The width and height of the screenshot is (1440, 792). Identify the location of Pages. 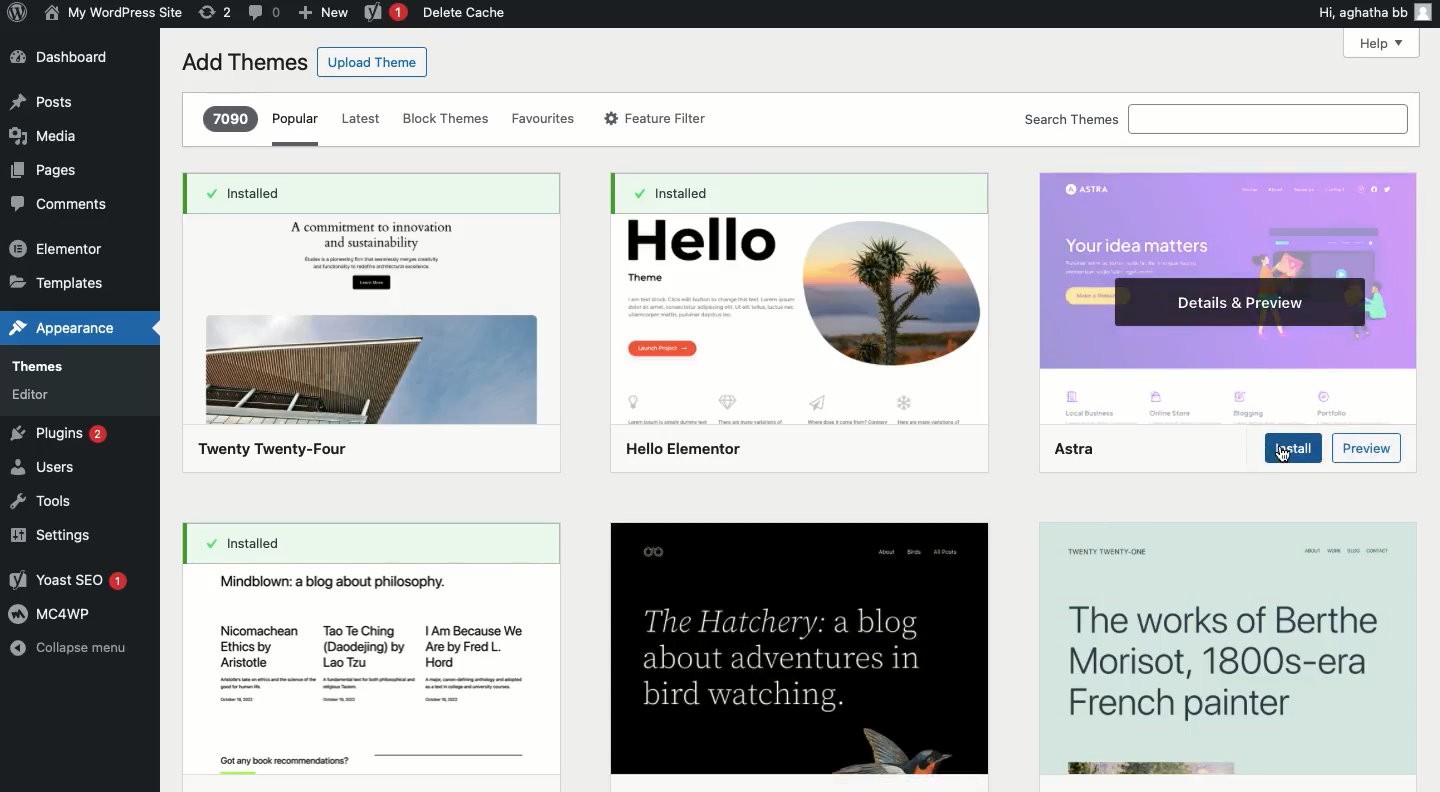
(43, 172).